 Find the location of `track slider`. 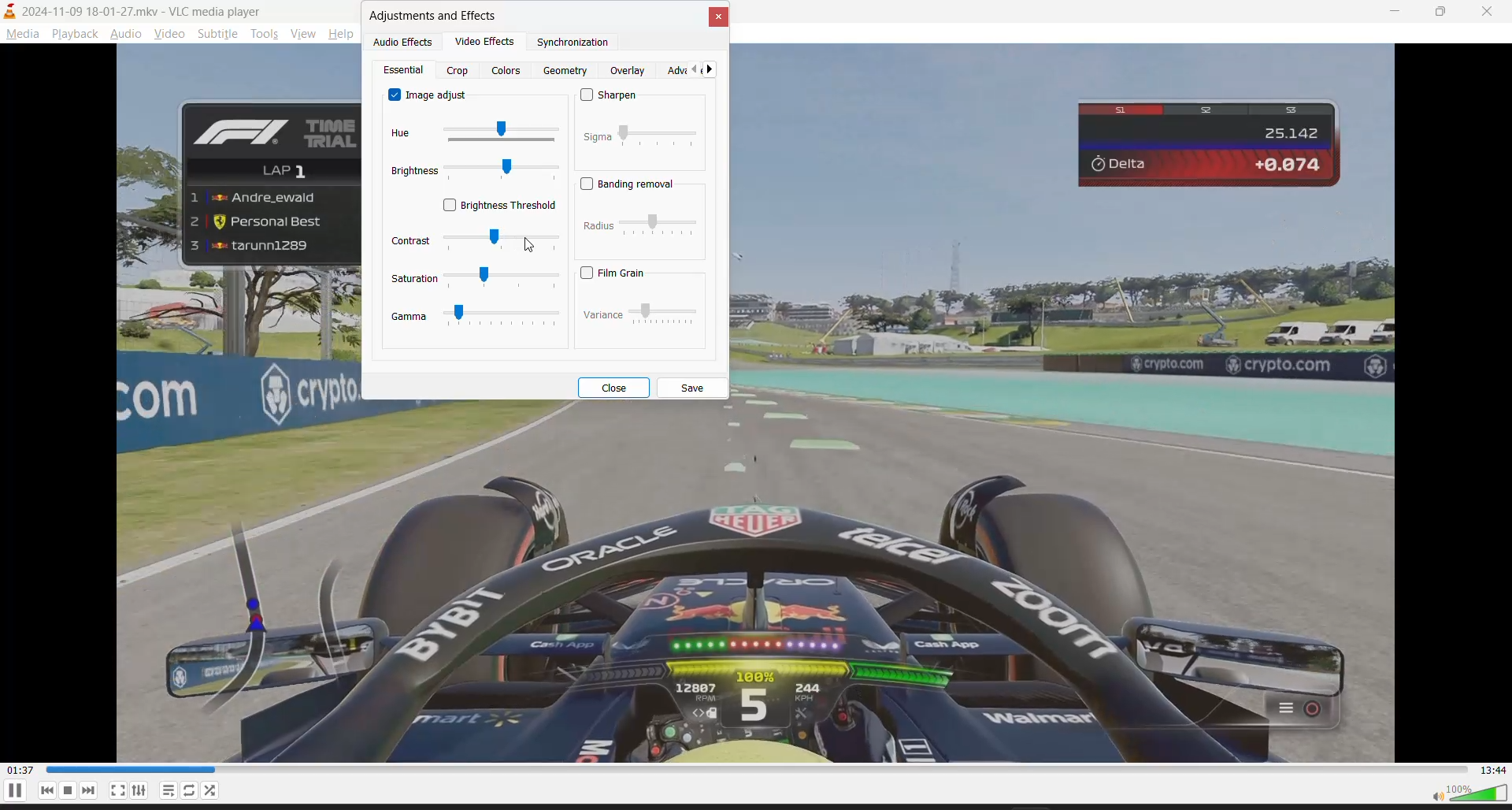

track slider is located at coordinates (757, 771).